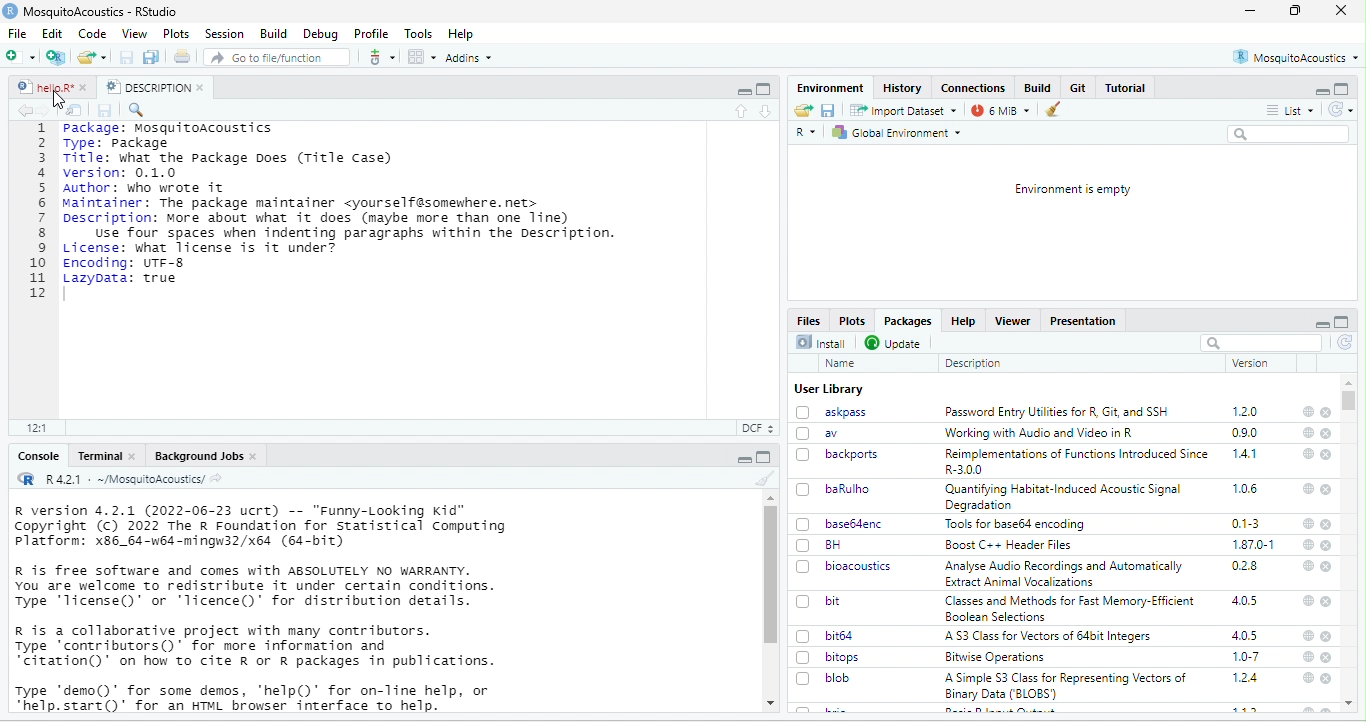  I want to click on help, so click(1308, 565).